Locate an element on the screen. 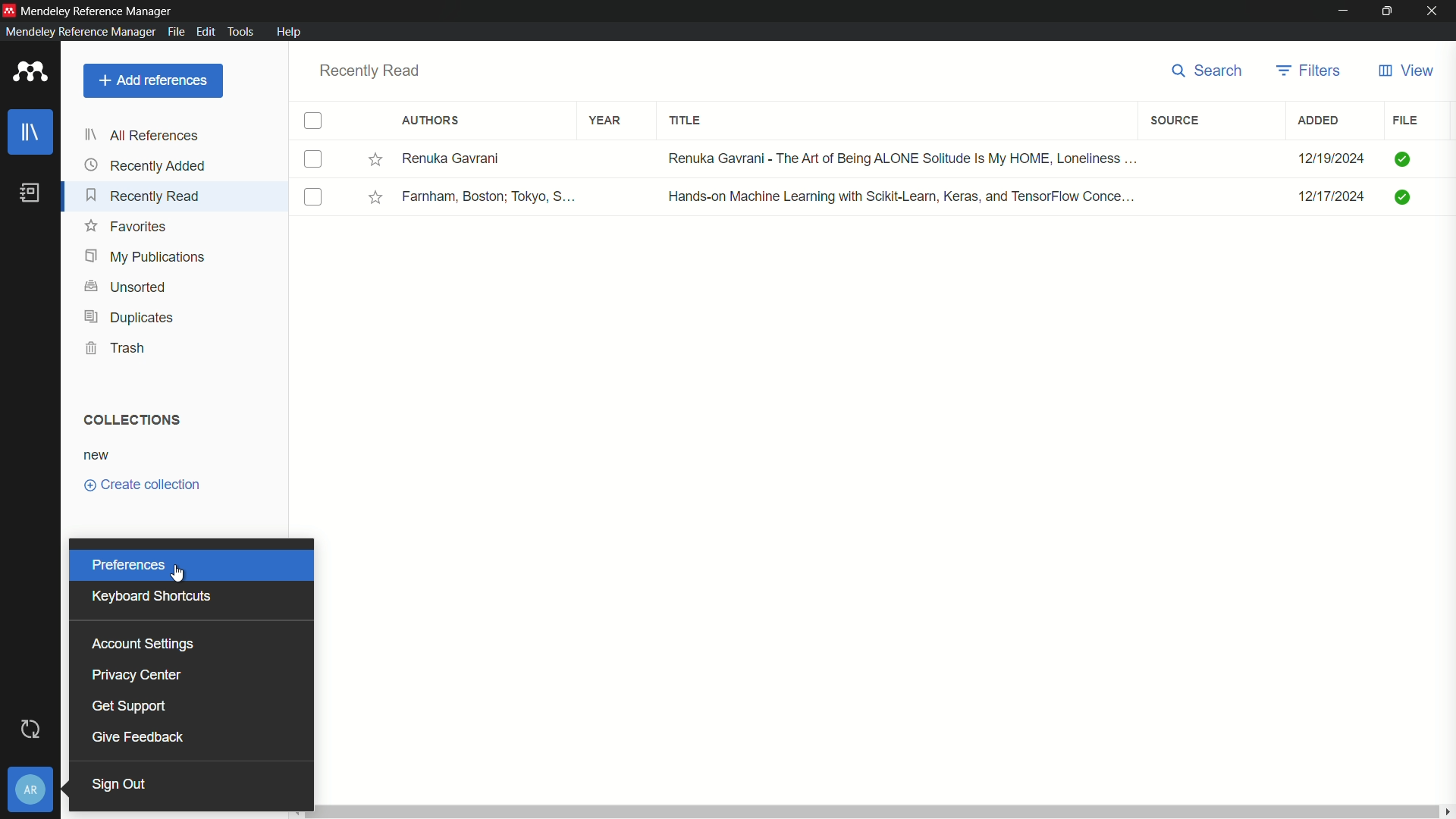 This screenshot has height=819, width=1456. help menu is located at coordinates (288, 31).